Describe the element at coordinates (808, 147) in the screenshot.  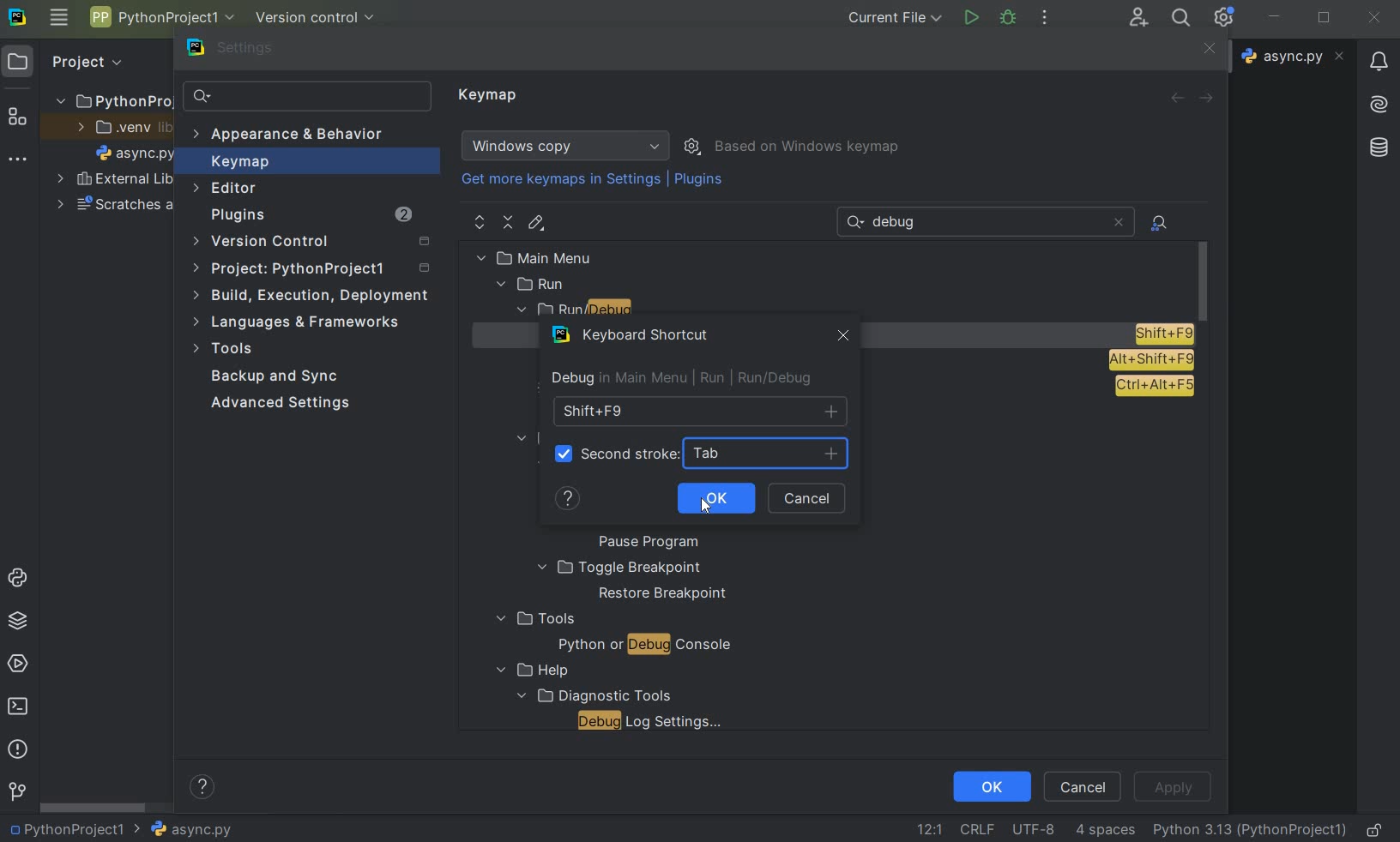
I see `based on windows keymap` at that location.